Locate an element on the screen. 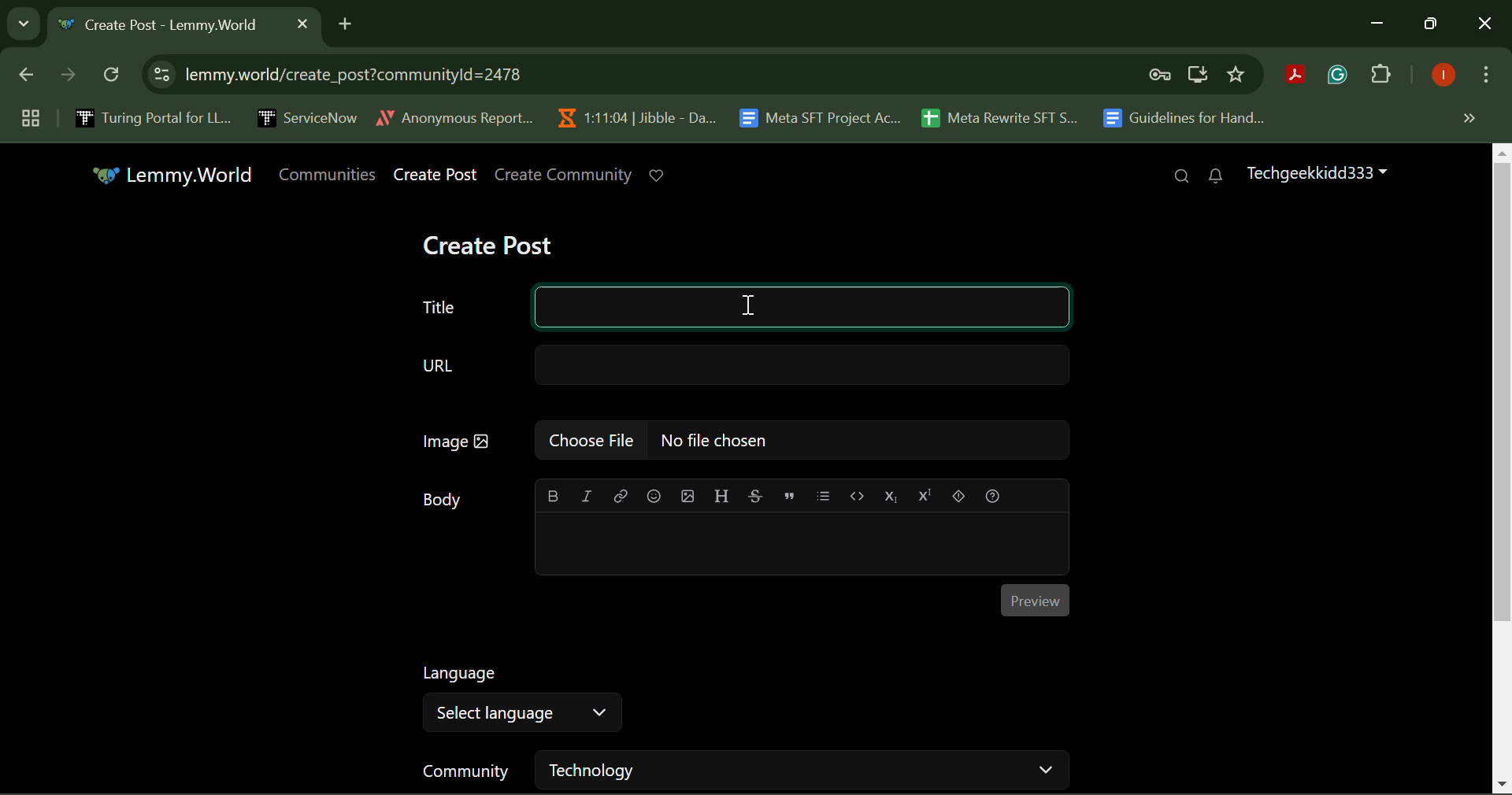 The image size is (1512, 795). Preview Button is located at coordinates (1035, 600).